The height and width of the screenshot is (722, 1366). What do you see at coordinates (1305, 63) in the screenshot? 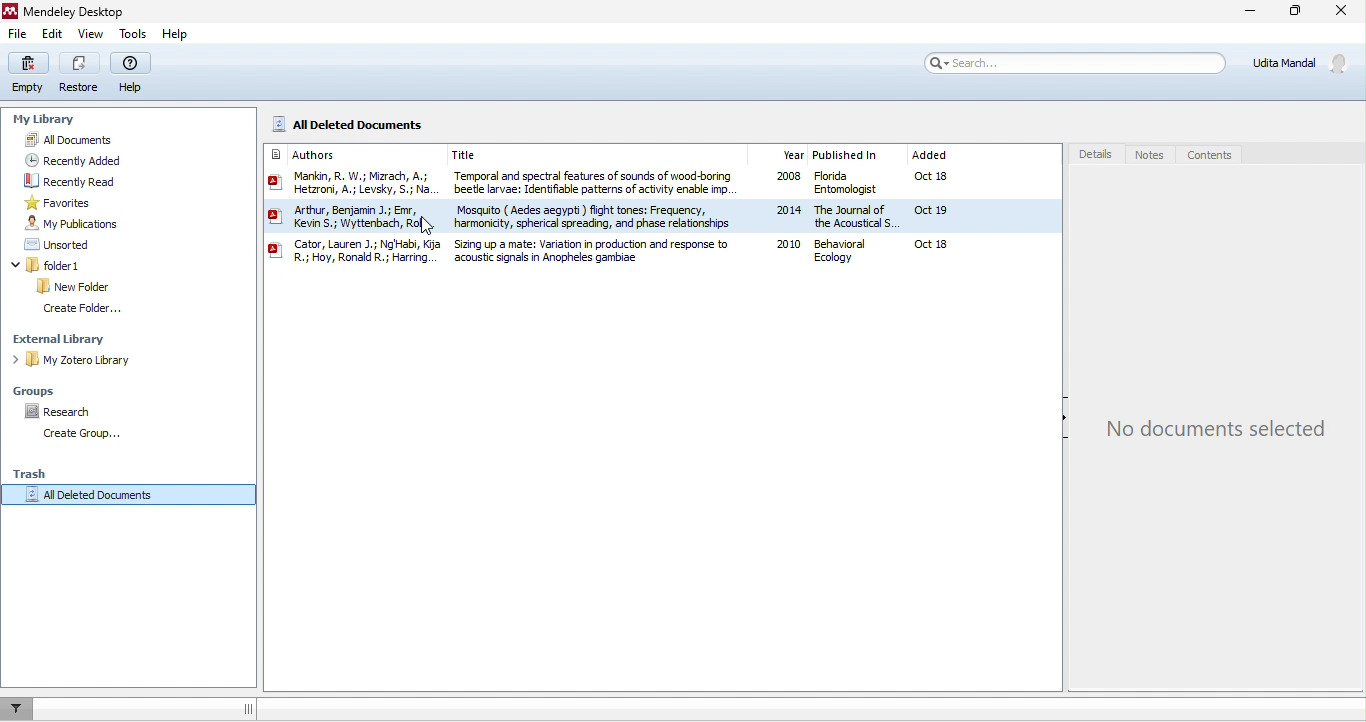
I see `Udita Mandal` at bounding box center [1305, 63].